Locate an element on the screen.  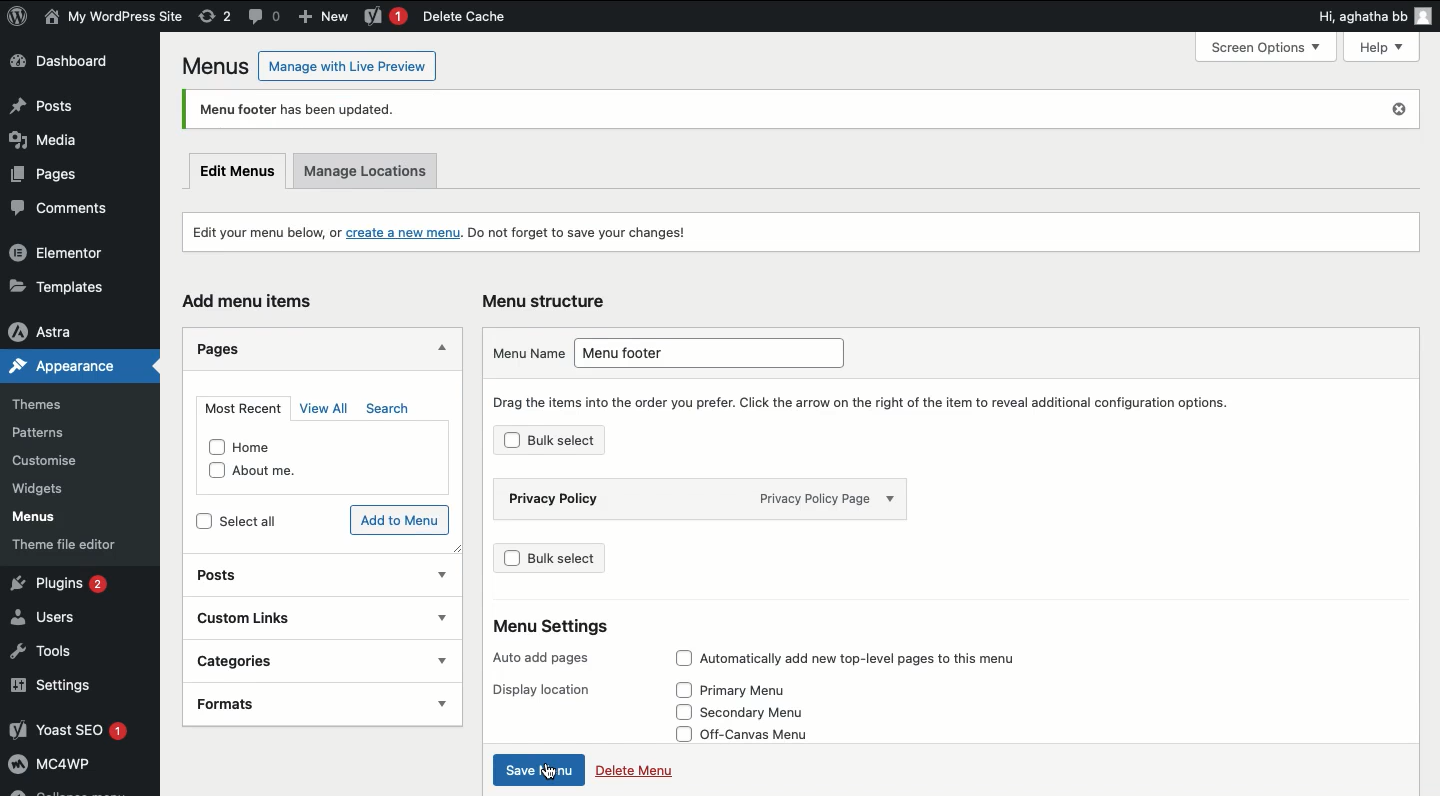
Delete cache is located at coordinates (463, 17).